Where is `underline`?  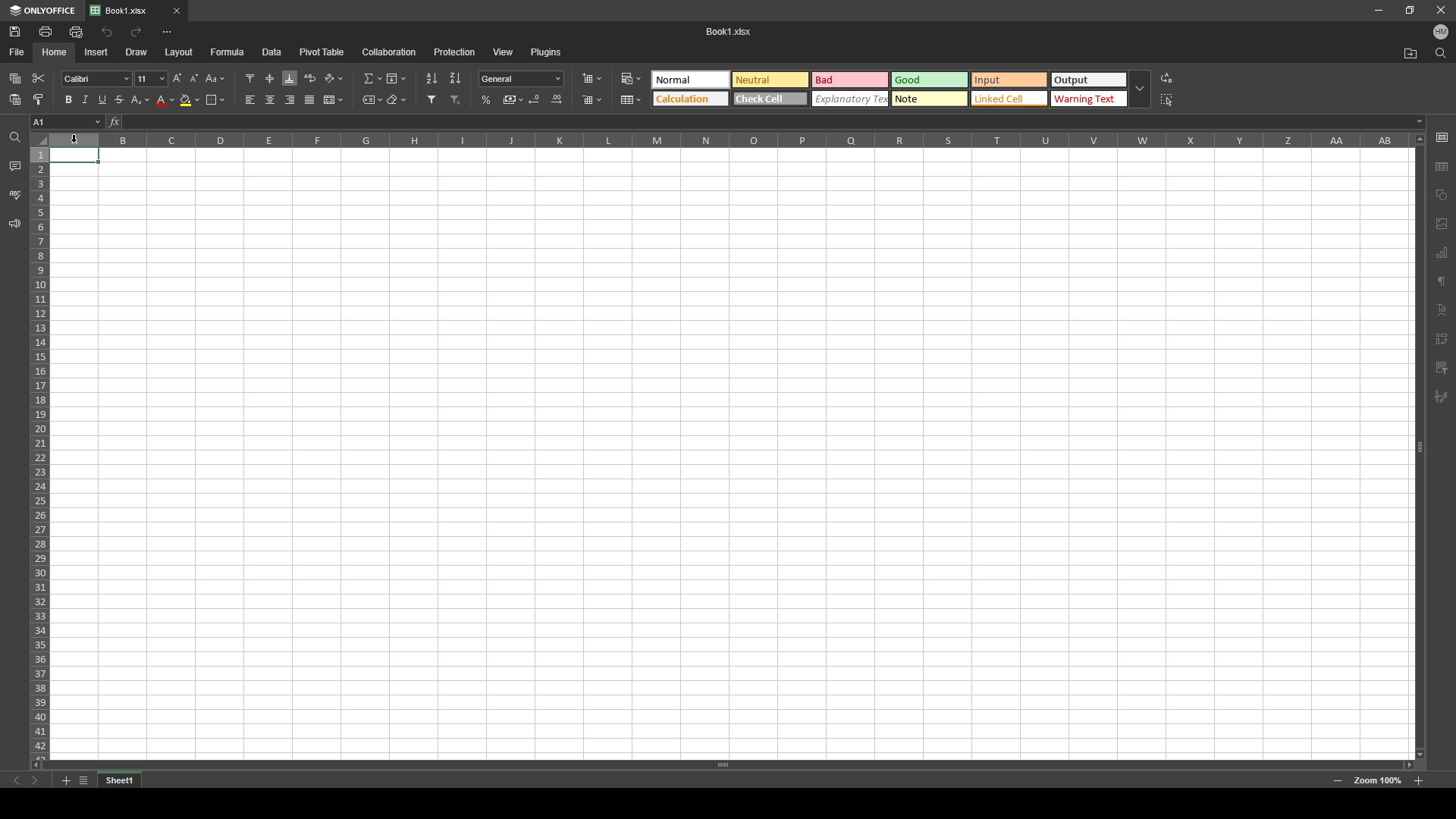
underline is located at coordinates (102, 100).